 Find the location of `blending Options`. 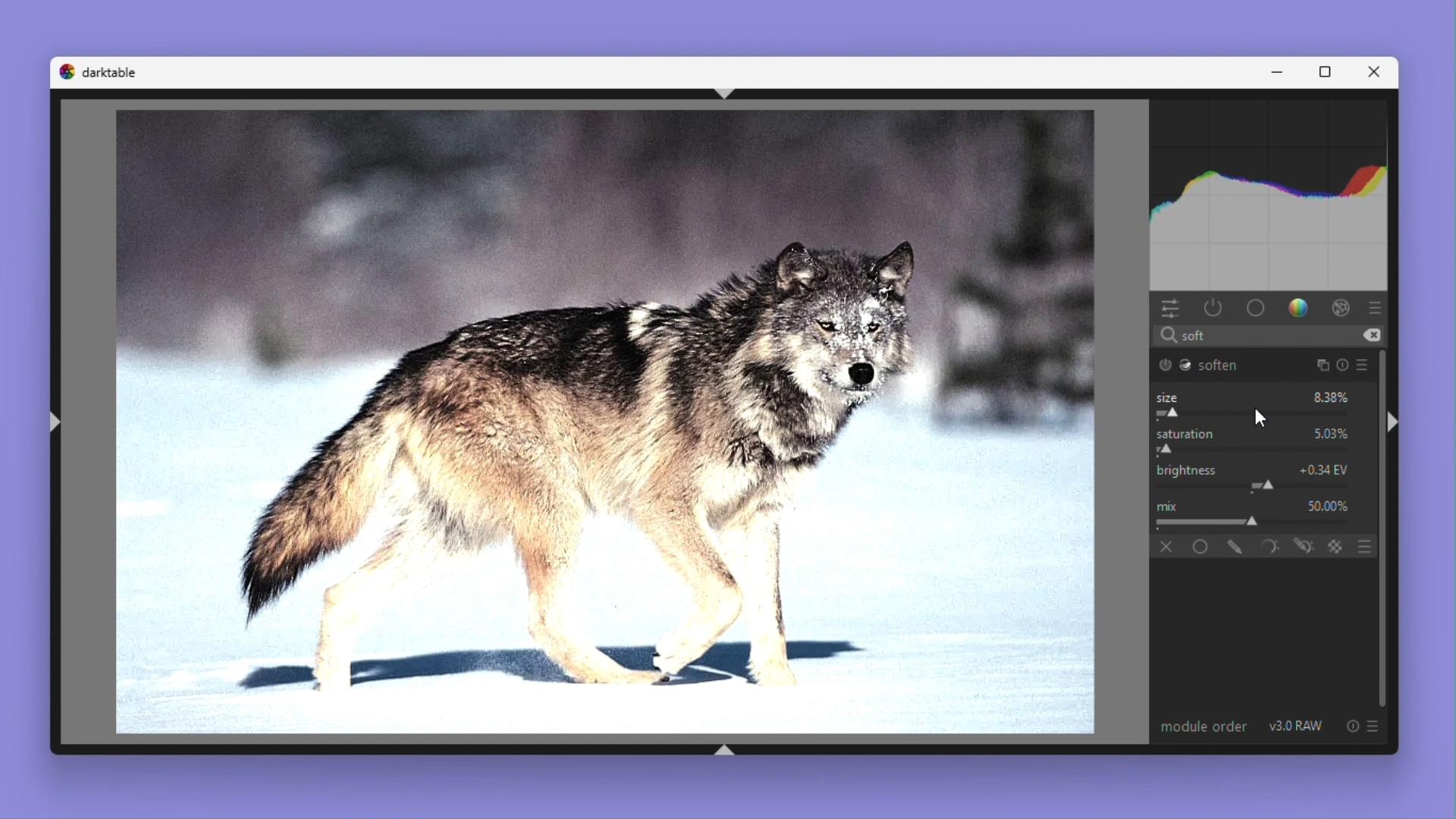

blending Options is located at coordinates (1367, 546).